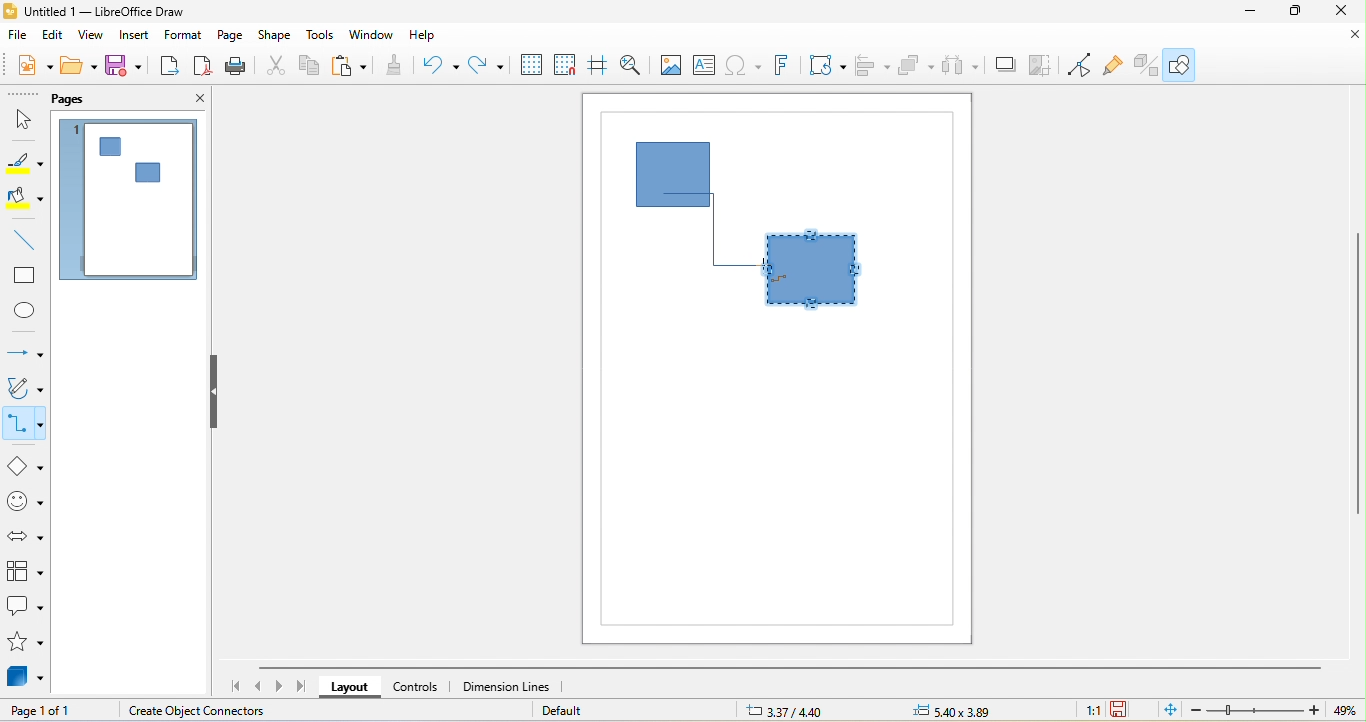 The width and height of the screenshot is (1366, 722). I want to click on select, so click(23, 117).